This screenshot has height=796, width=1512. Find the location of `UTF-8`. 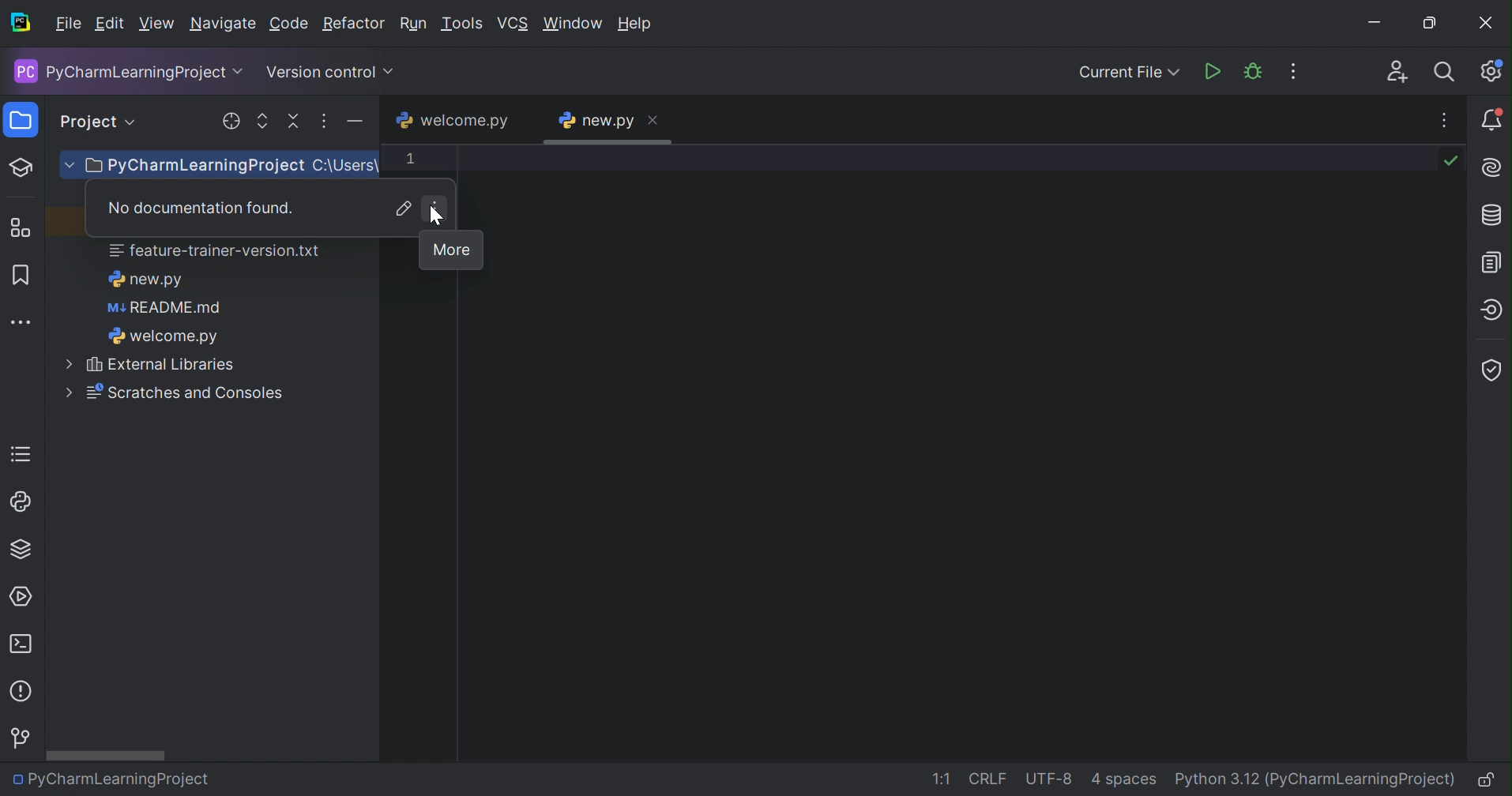

UTF-8 is located at coordinates (1053, 777).